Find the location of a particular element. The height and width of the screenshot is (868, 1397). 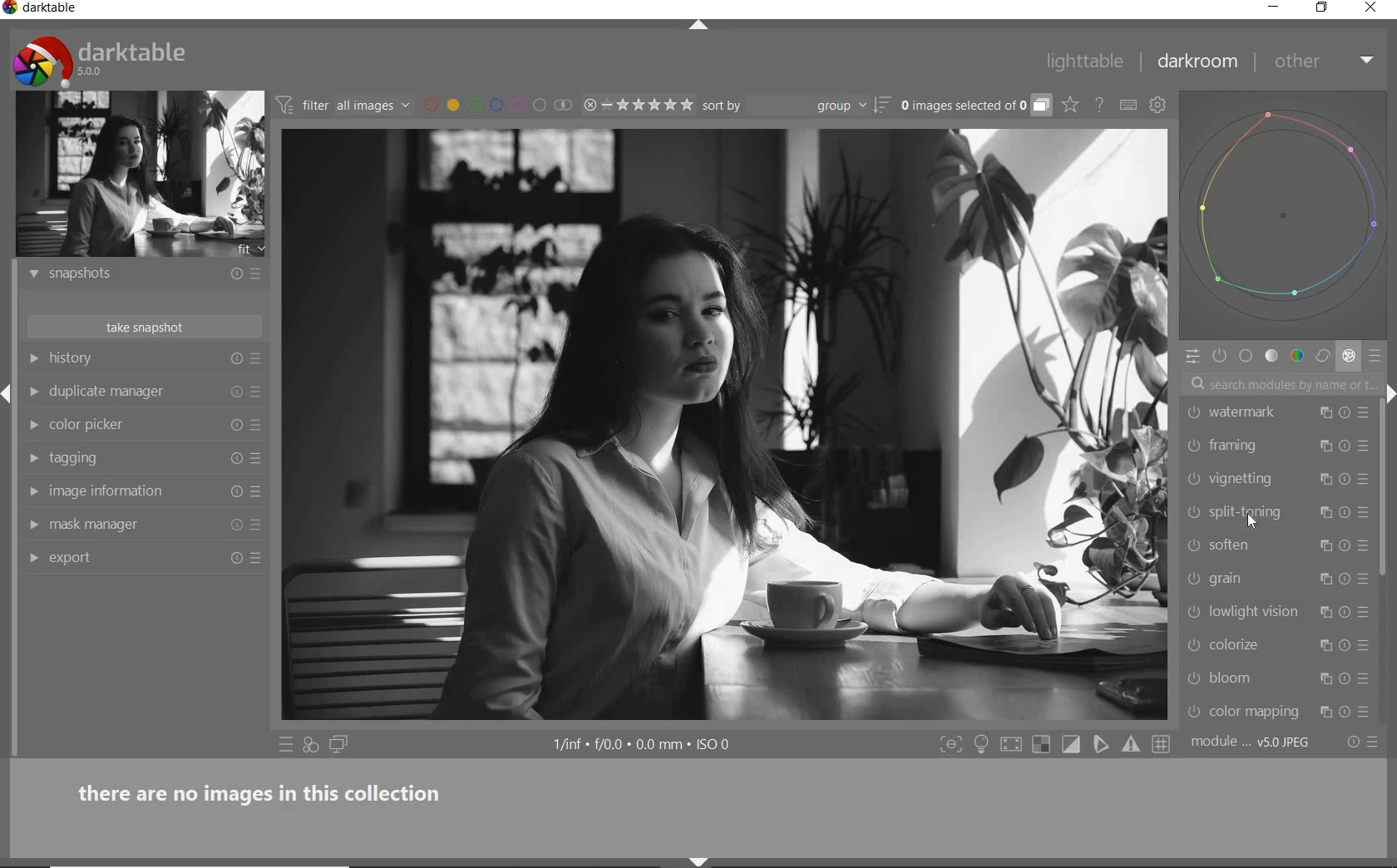

color picker is located at coordinates (135, 426).